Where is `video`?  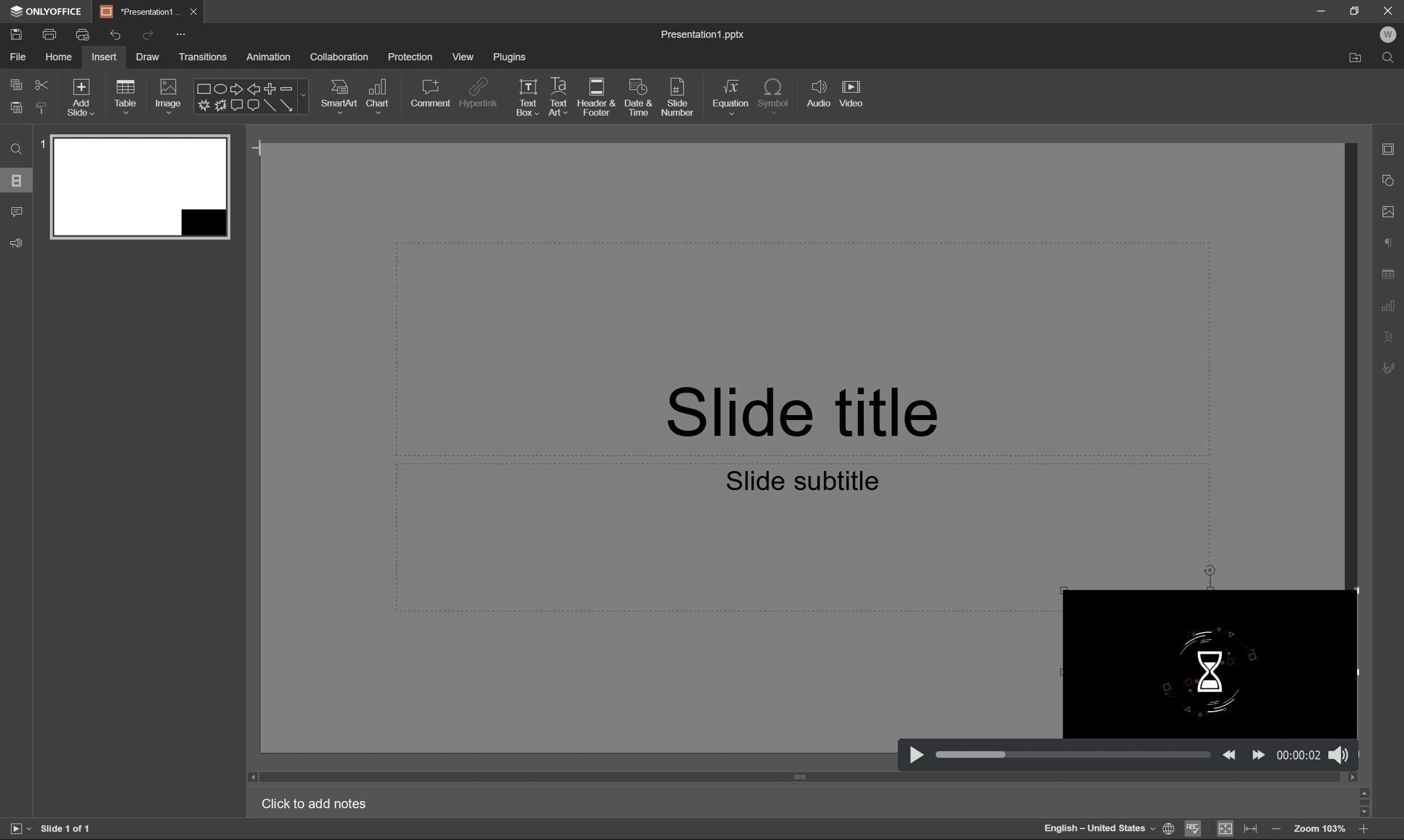
video is located at coordinates (1206, 665).